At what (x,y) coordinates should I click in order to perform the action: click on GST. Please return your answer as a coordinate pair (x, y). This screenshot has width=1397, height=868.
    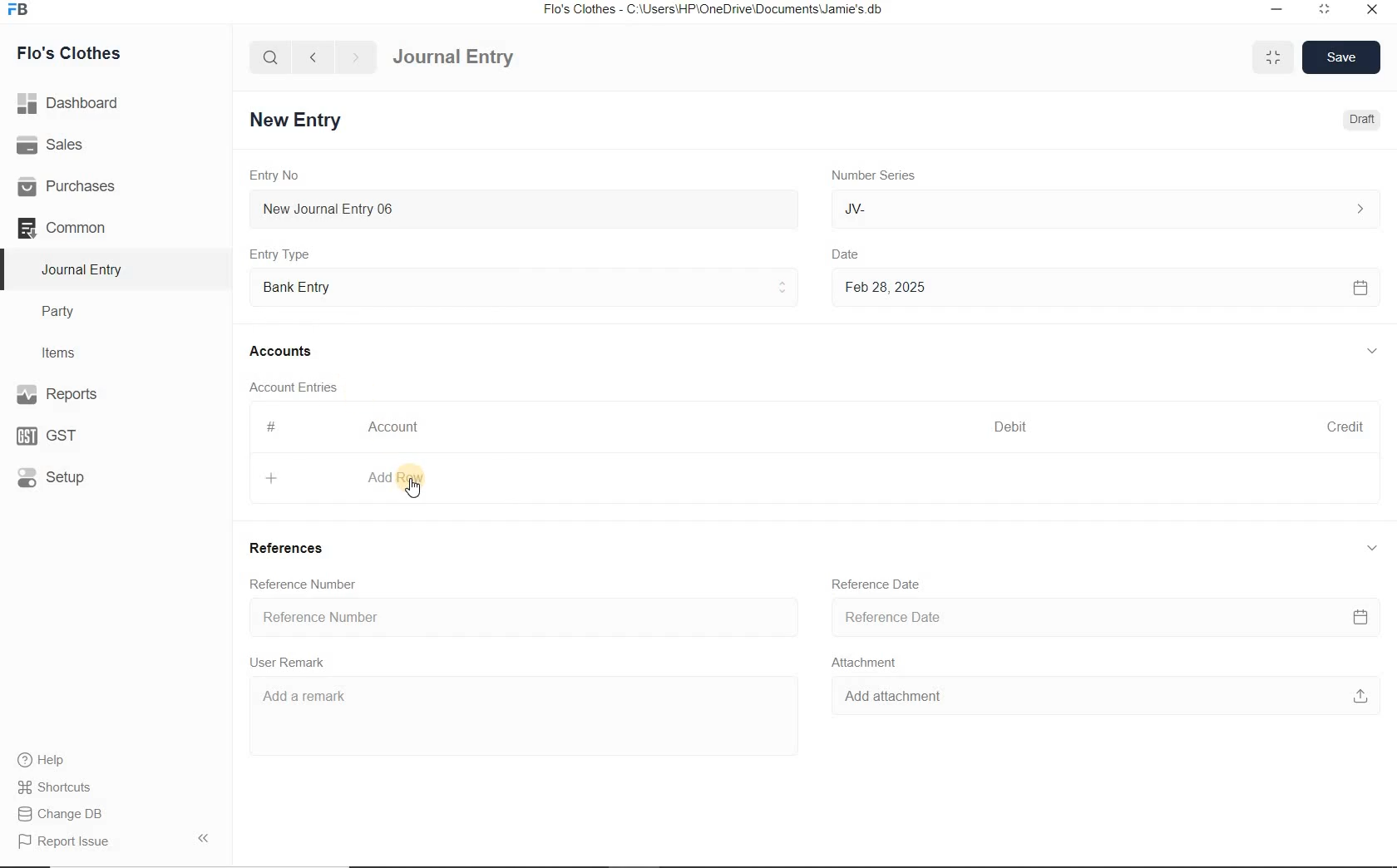
    Looking at the image, I should click on (54, 434).